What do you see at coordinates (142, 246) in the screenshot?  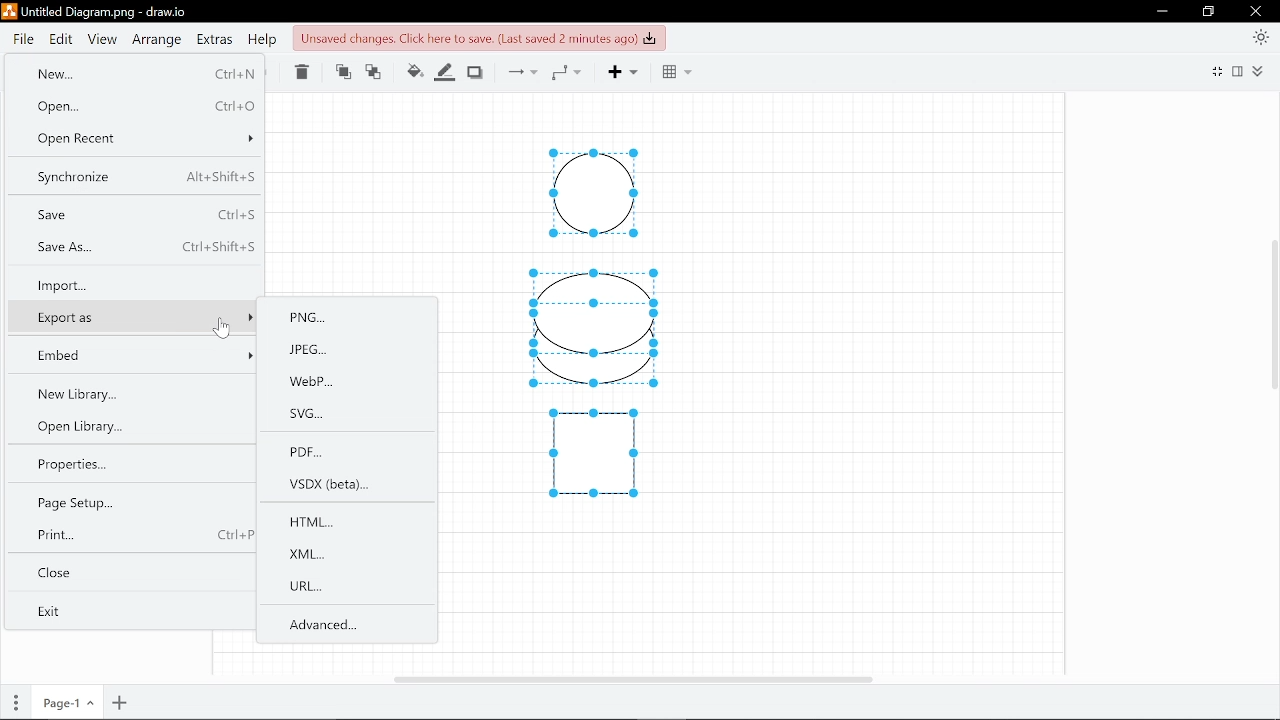 I see `Save as` at bounding box center [142, 246].